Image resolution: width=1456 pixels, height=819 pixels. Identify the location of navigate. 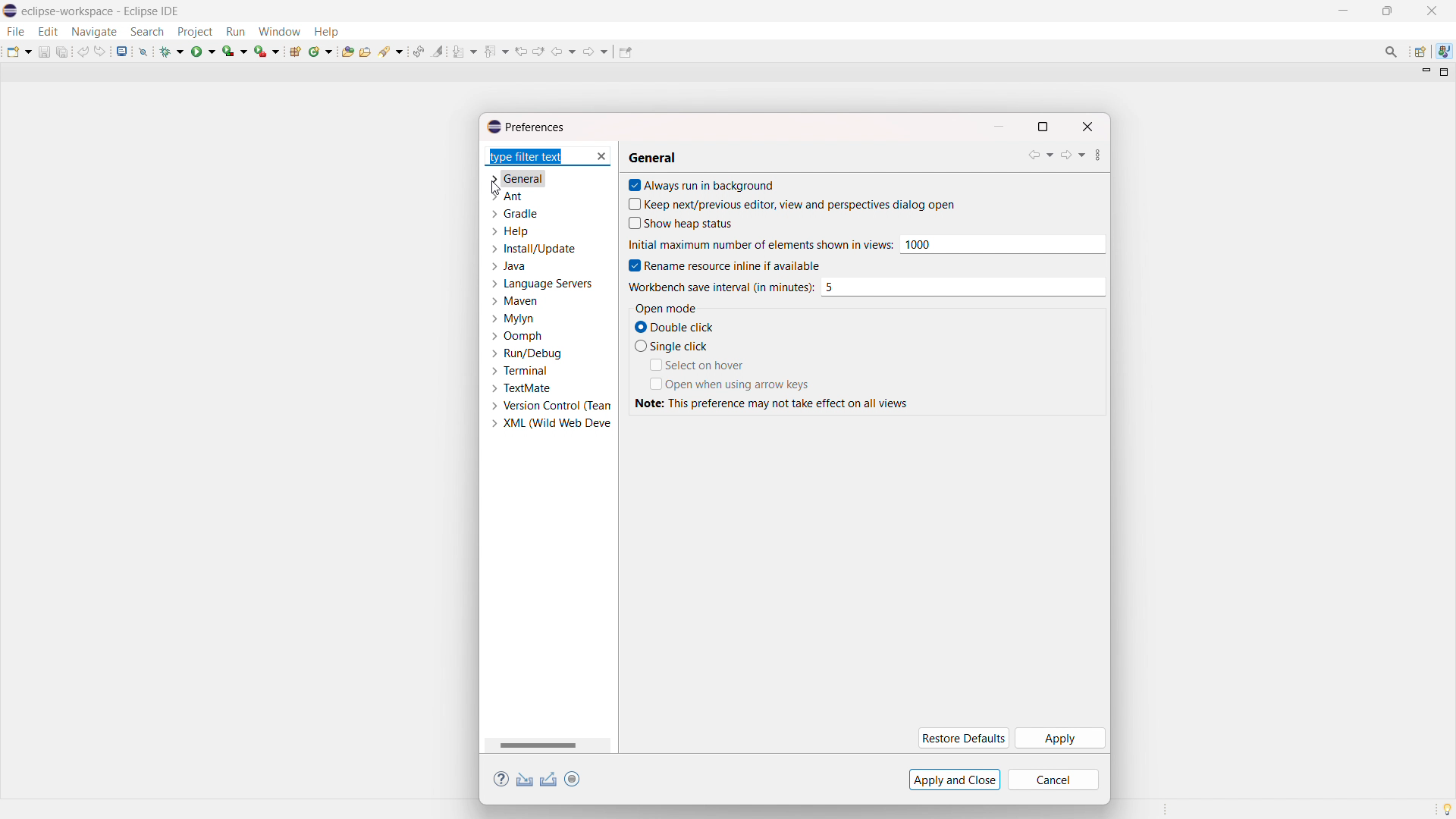
(93, 31).